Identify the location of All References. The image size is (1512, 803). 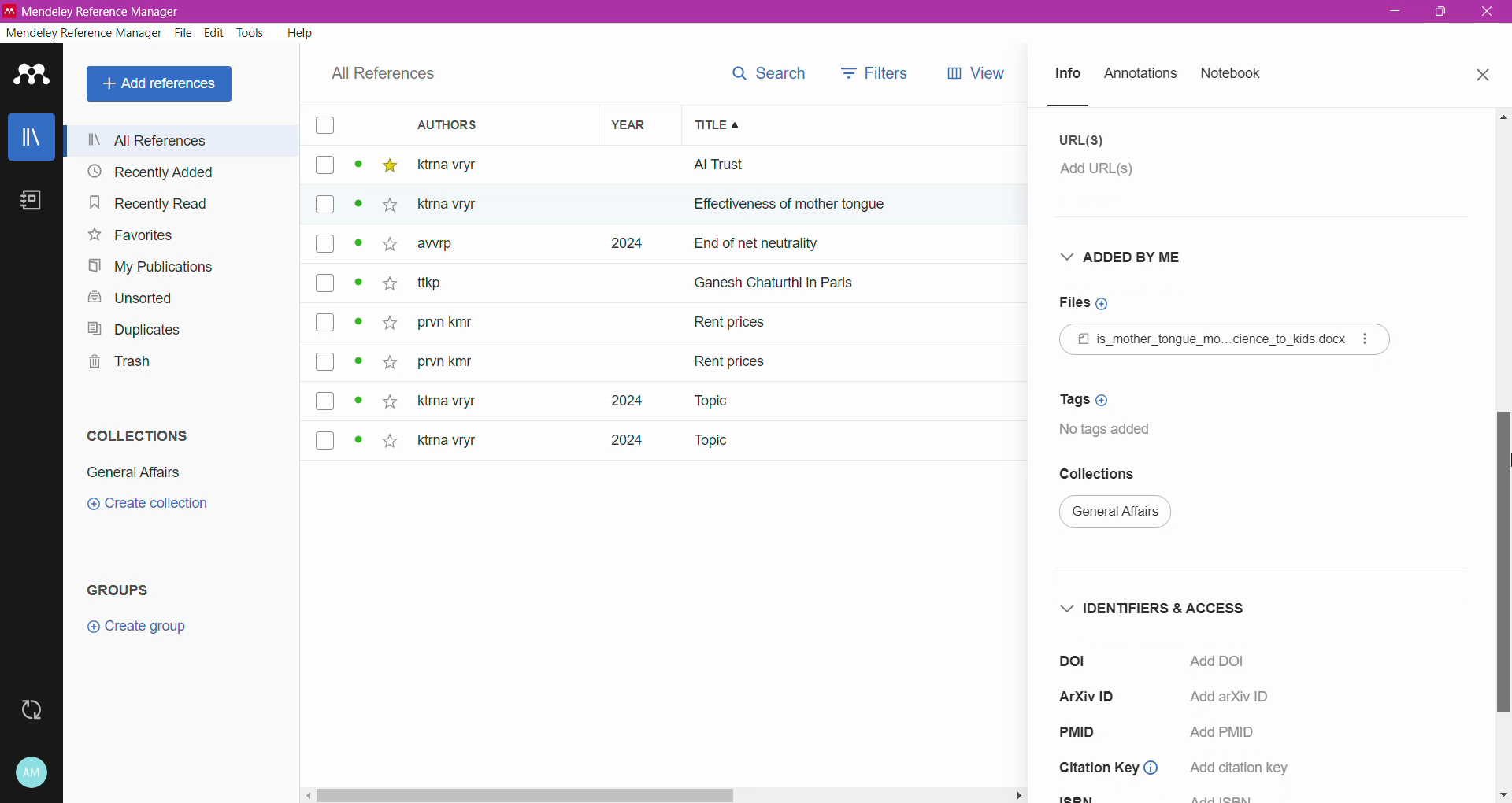
(183, 140).